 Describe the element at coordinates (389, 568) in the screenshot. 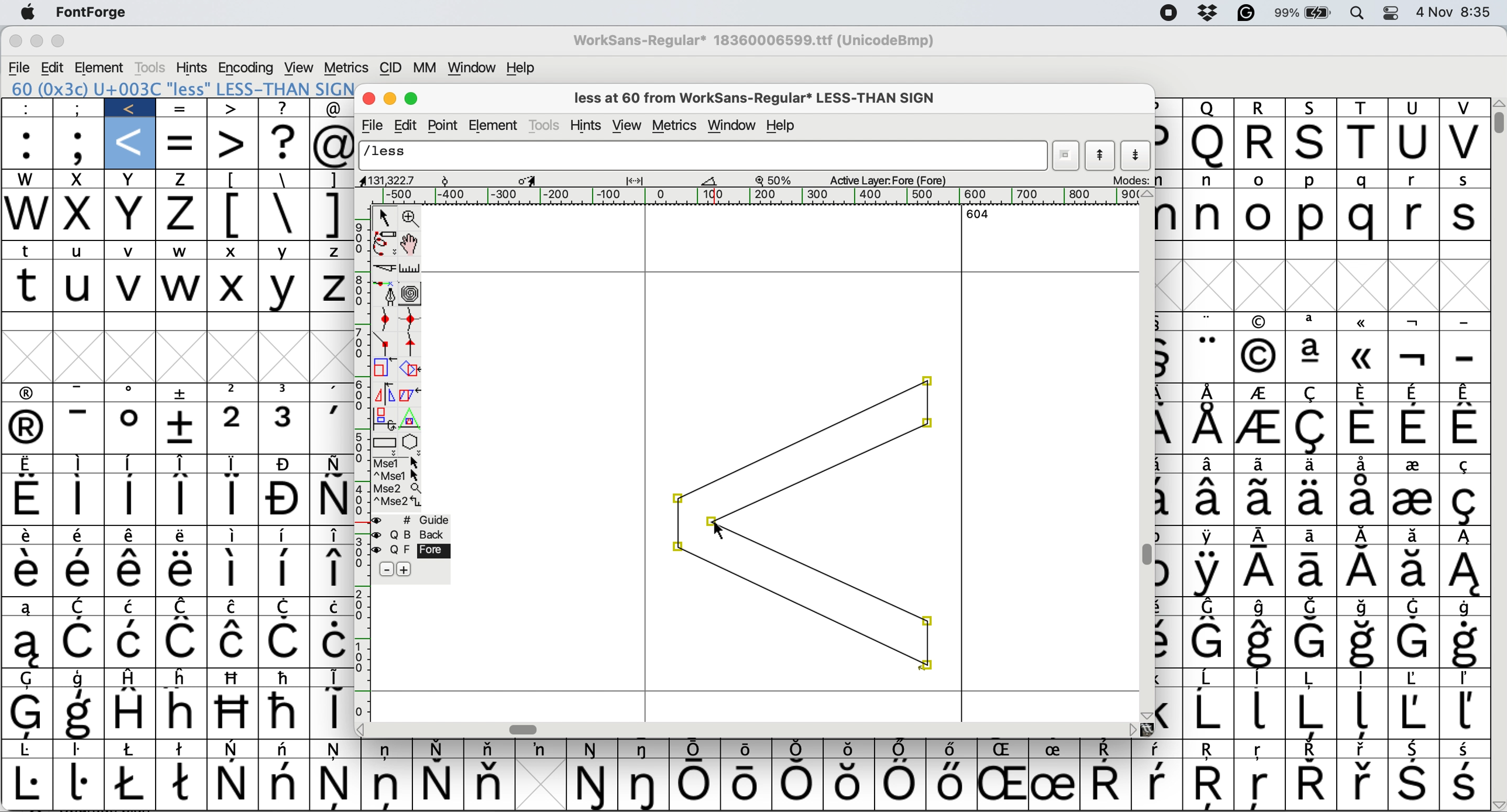

I see `remove` at that location.